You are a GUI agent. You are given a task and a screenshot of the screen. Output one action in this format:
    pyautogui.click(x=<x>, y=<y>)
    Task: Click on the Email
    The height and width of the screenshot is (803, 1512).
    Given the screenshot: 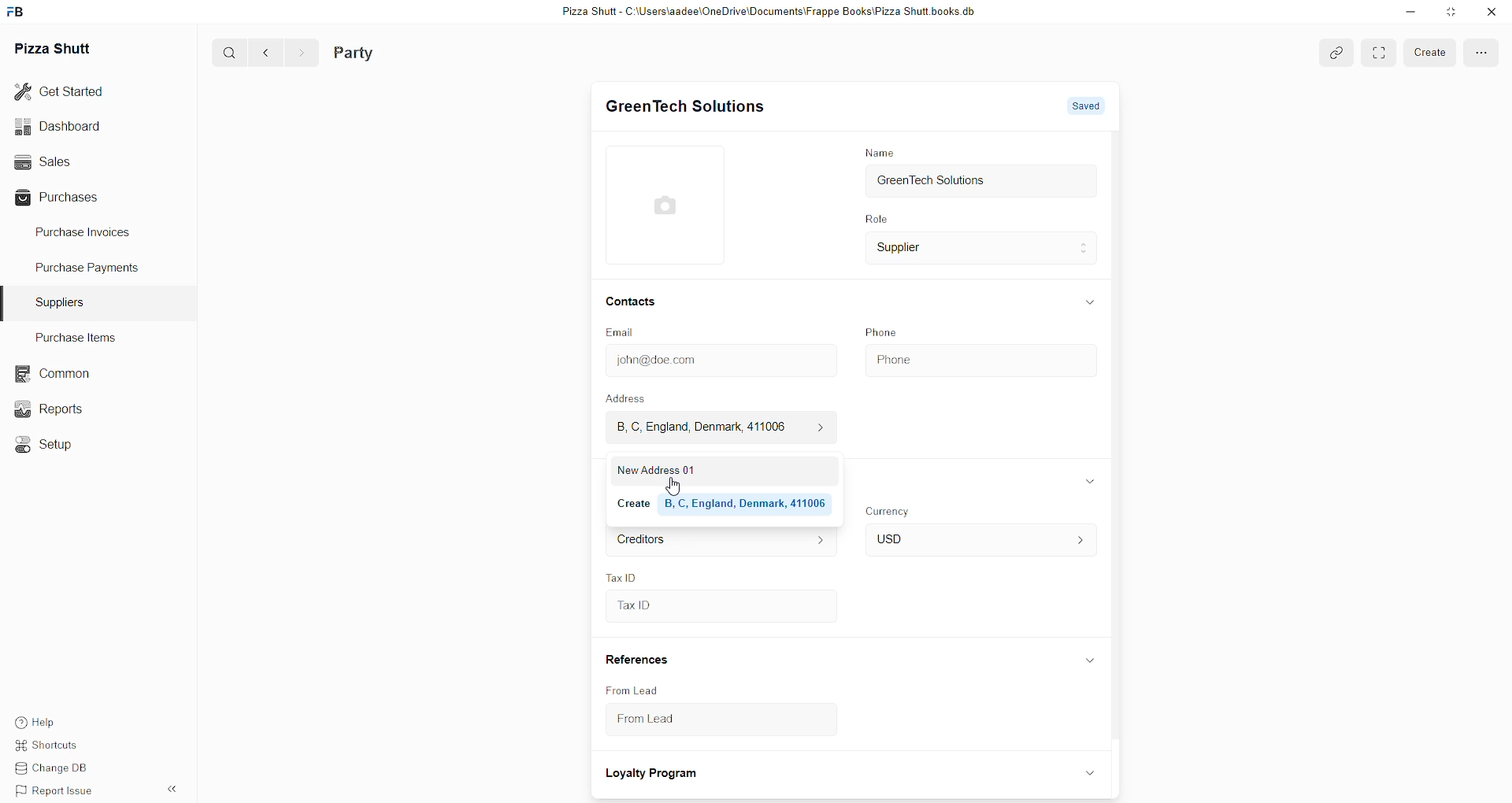 What is the action you would take?
    pyautogui.click(x=624, y=333)
    